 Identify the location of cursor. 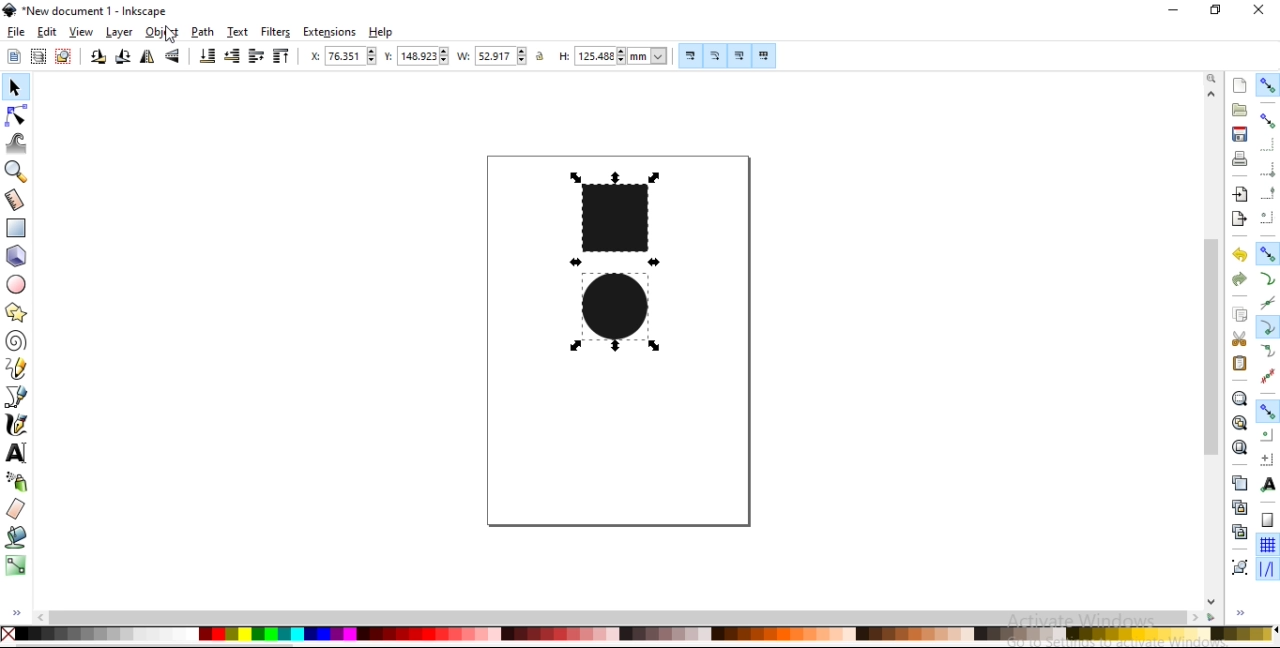
(170, 36).